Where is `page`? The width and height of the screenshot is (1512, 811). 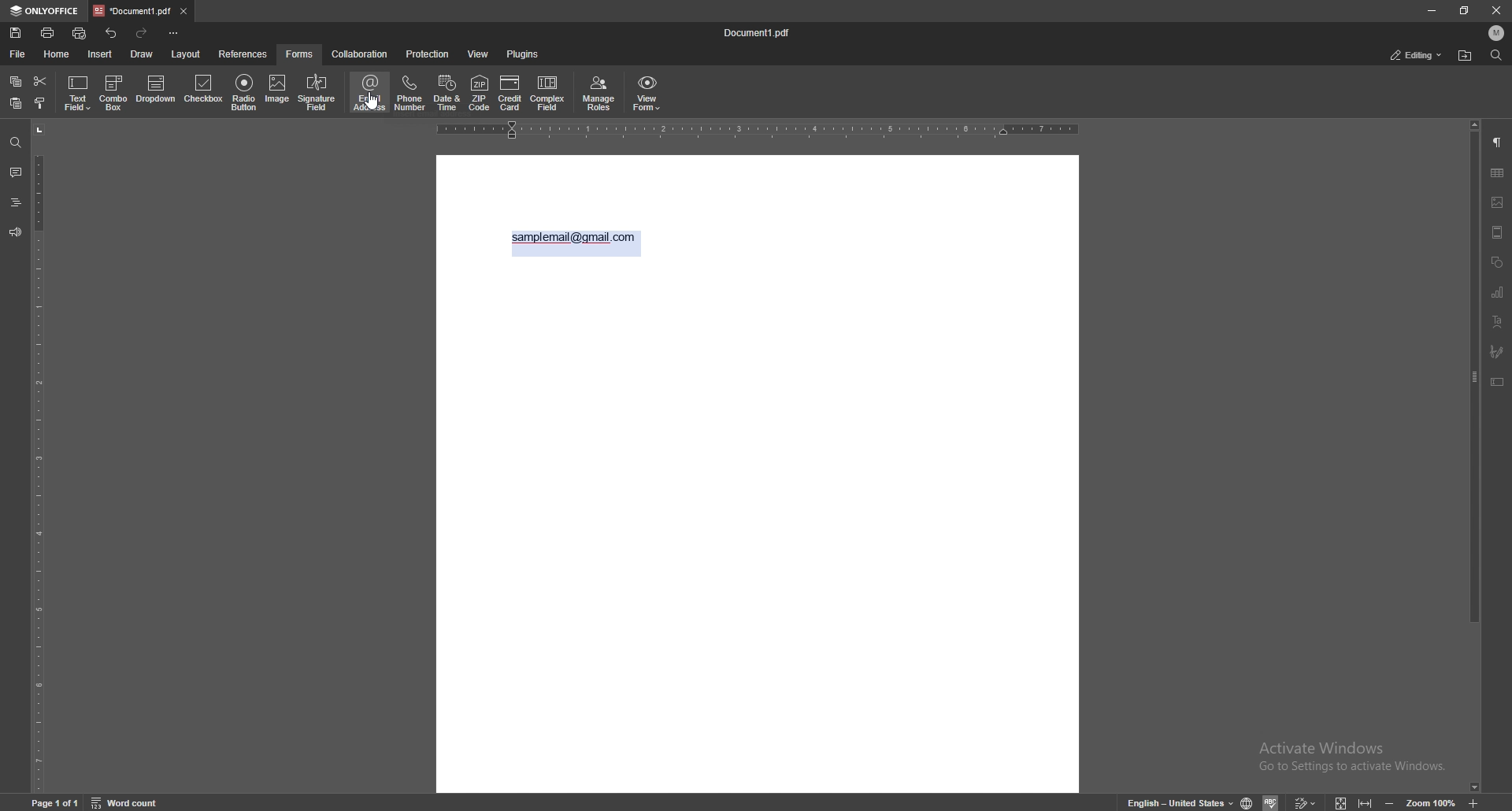 page is located at coordinates (55, 802).